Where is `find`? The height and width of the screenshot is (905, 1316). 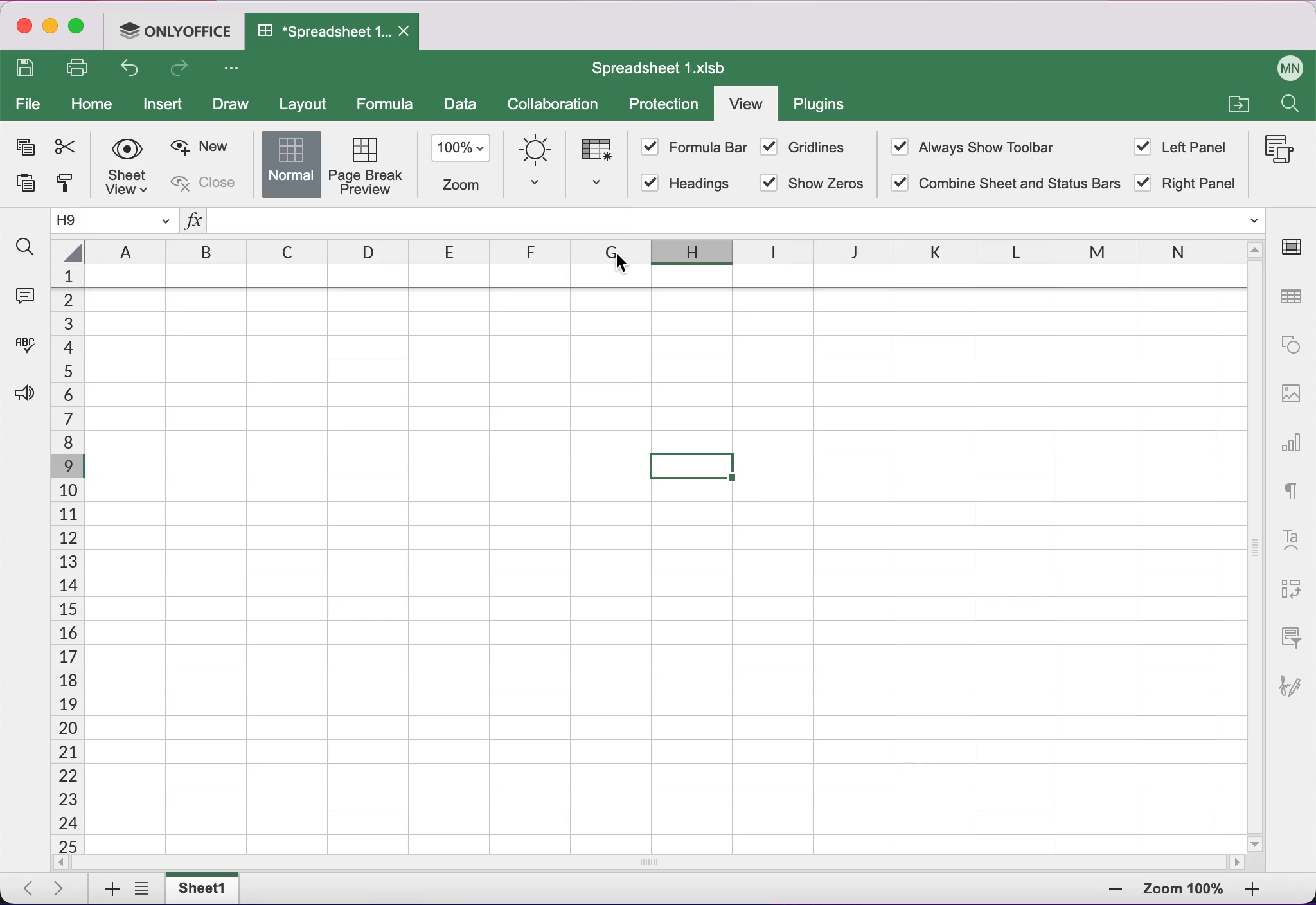
find is located at coordinates (26, 248).